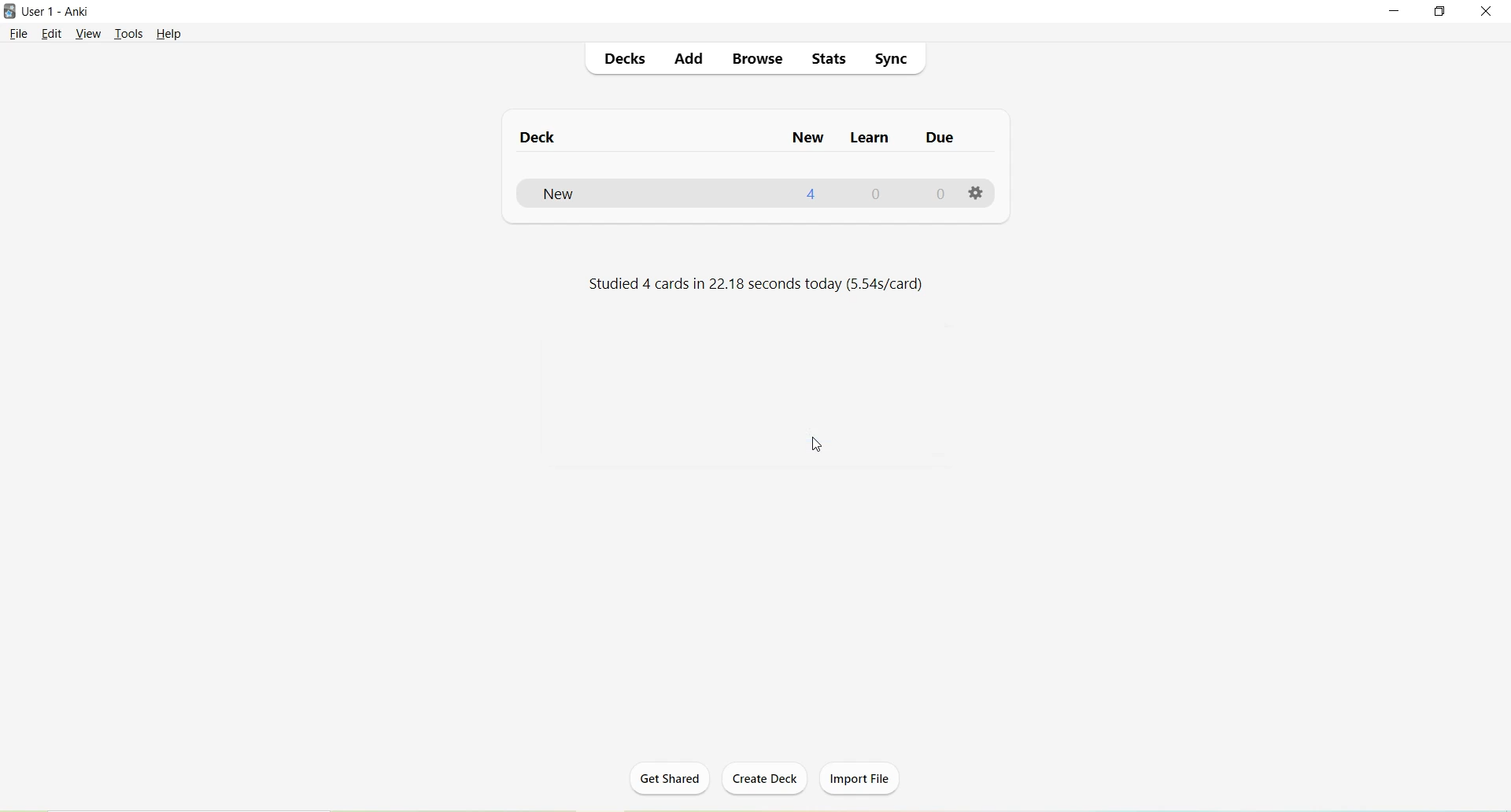 The height and width of the screenshot is (812, 1511). What do you see at coordinates (538, 140) in the screenshot?
I see `Deck` at bounding box center [538, 140].